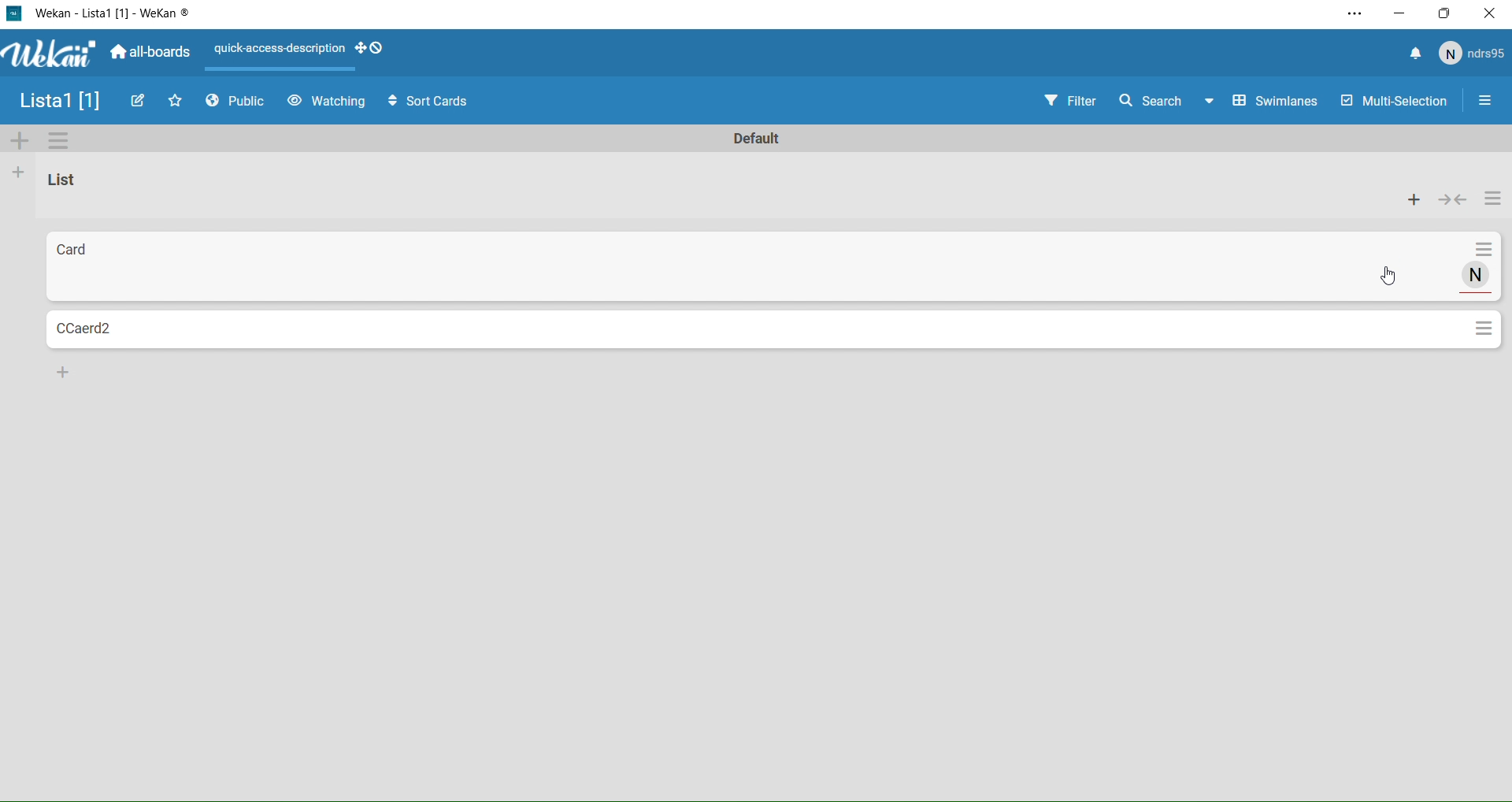  What do you see at coordinates (755, 330) in the screenshot?
I see `CCaerd2` at bounding box center [755, 330].